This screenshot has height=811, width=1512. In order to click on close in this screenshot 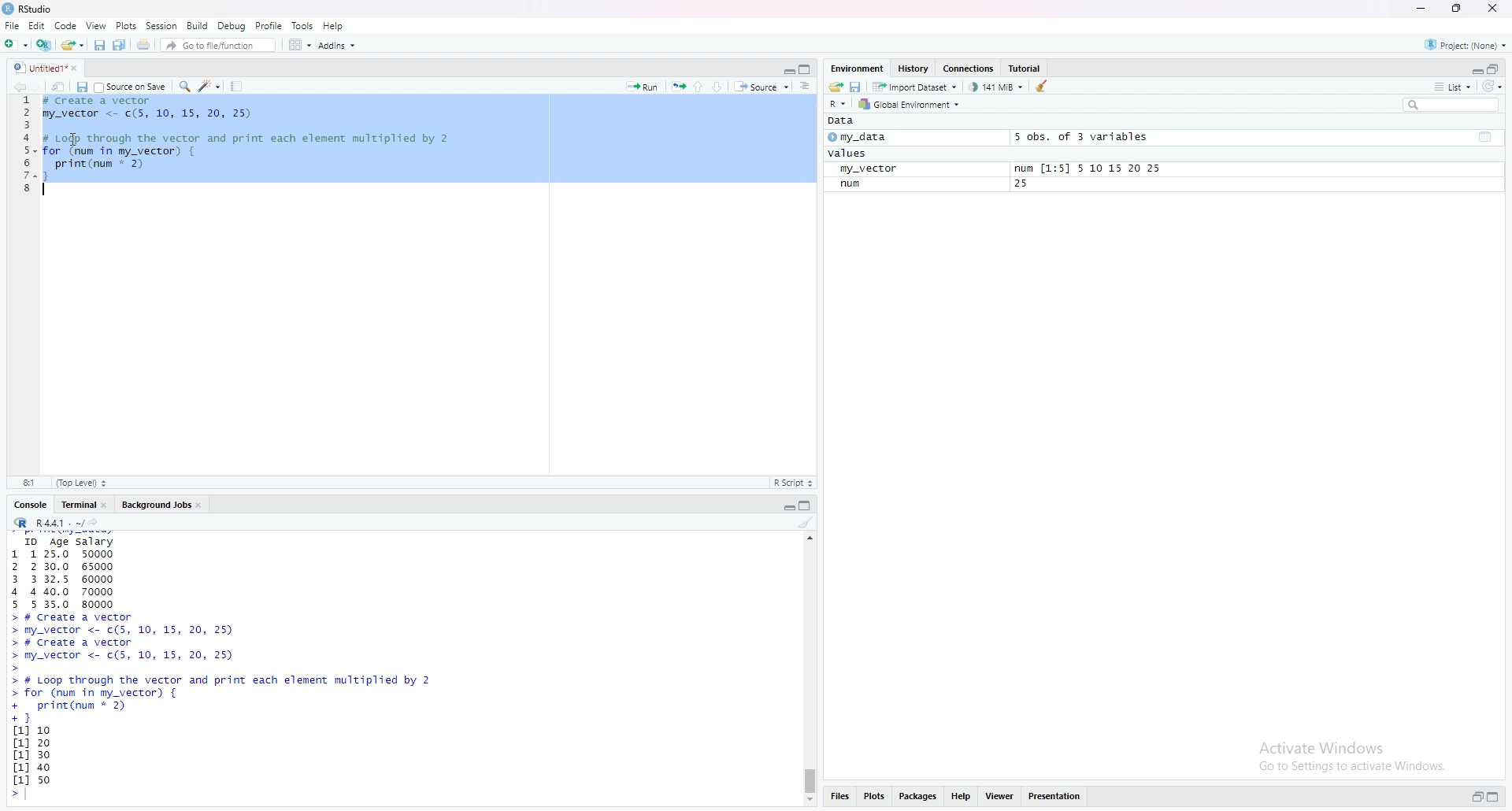, I will do `click(1495, 9)`.